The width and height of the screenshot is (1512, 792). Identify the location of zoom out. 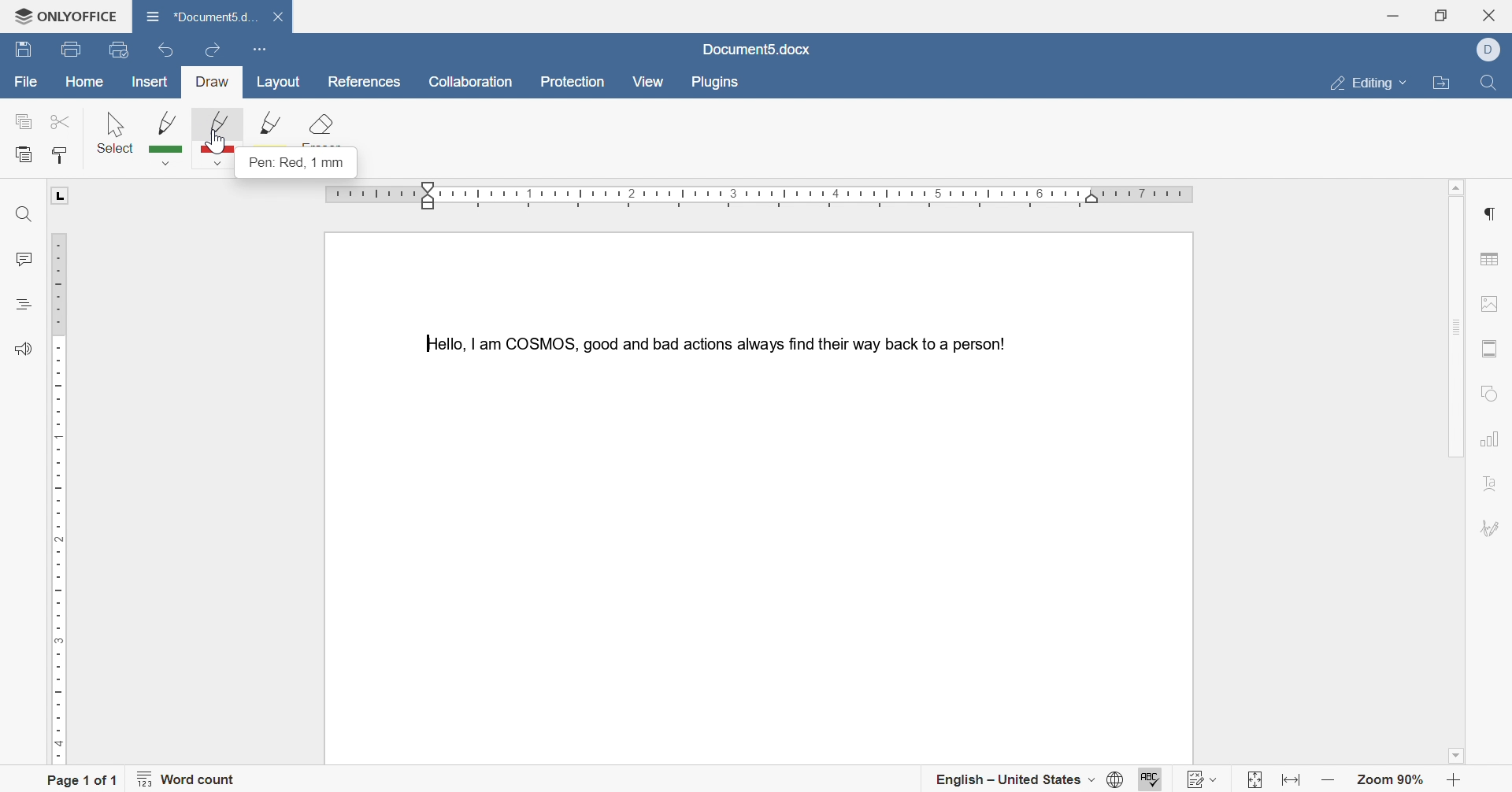
(1329, 781).